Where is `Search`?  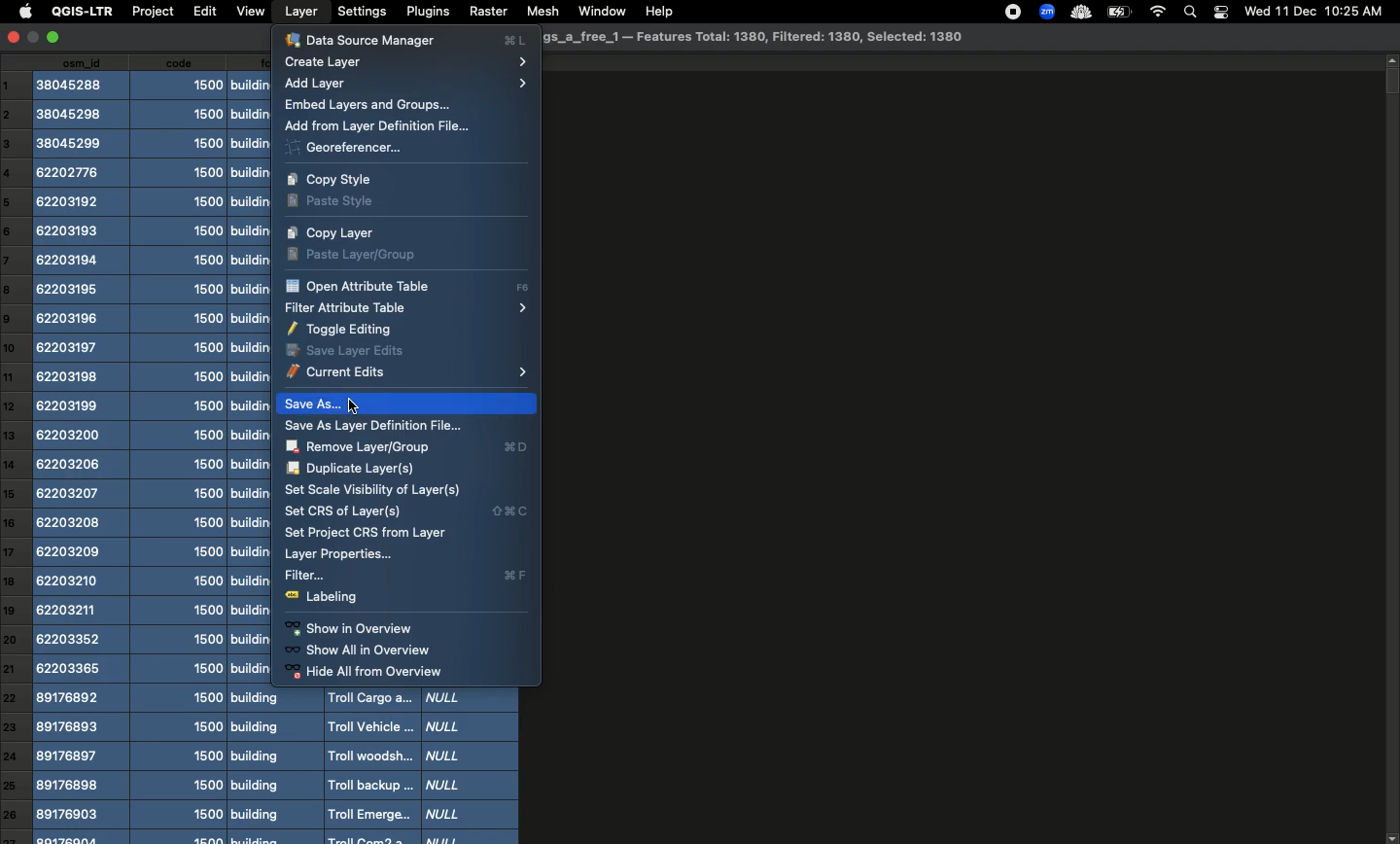
Search is located at coordinates (1192, 11).